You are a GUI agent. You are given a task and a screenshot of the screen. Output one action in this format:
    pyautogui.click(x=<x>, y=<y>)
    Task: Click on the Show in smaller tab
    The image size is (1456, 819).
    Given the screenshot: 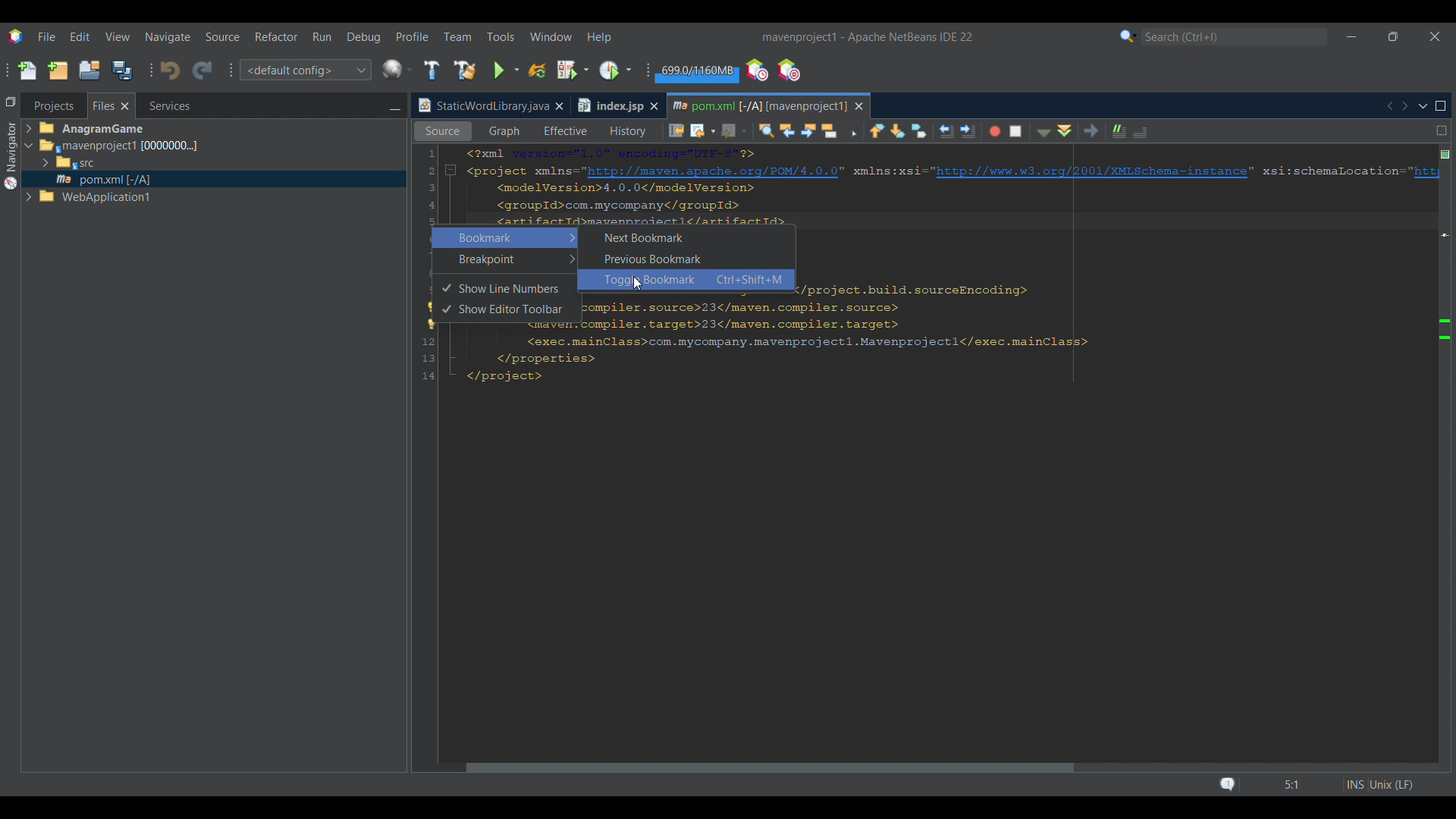 What is the action you would take?
    pyautogui.click(x=1393, y=36)
    